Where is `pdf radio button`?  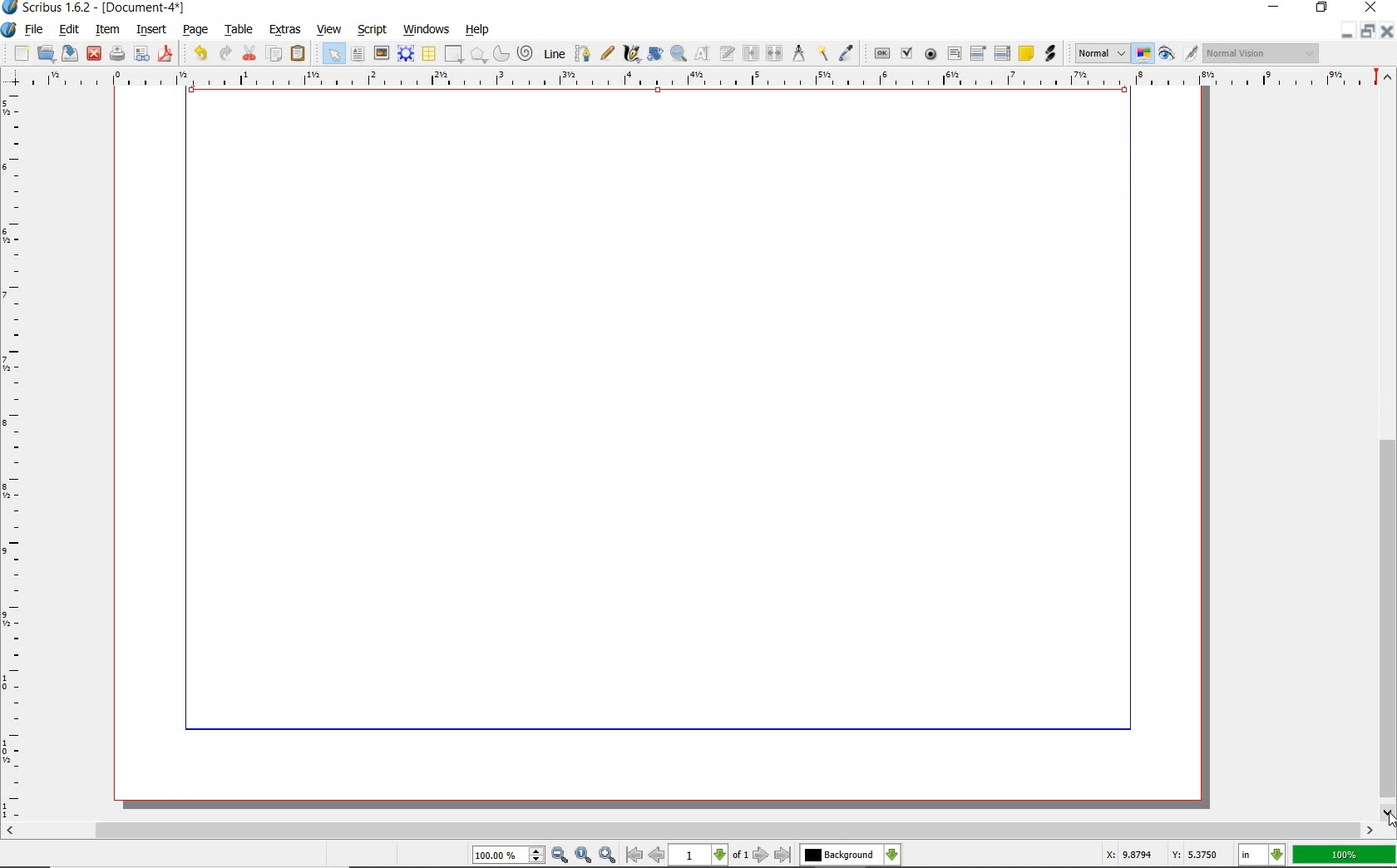 pdf radio button is located at coordinates (929, 55).